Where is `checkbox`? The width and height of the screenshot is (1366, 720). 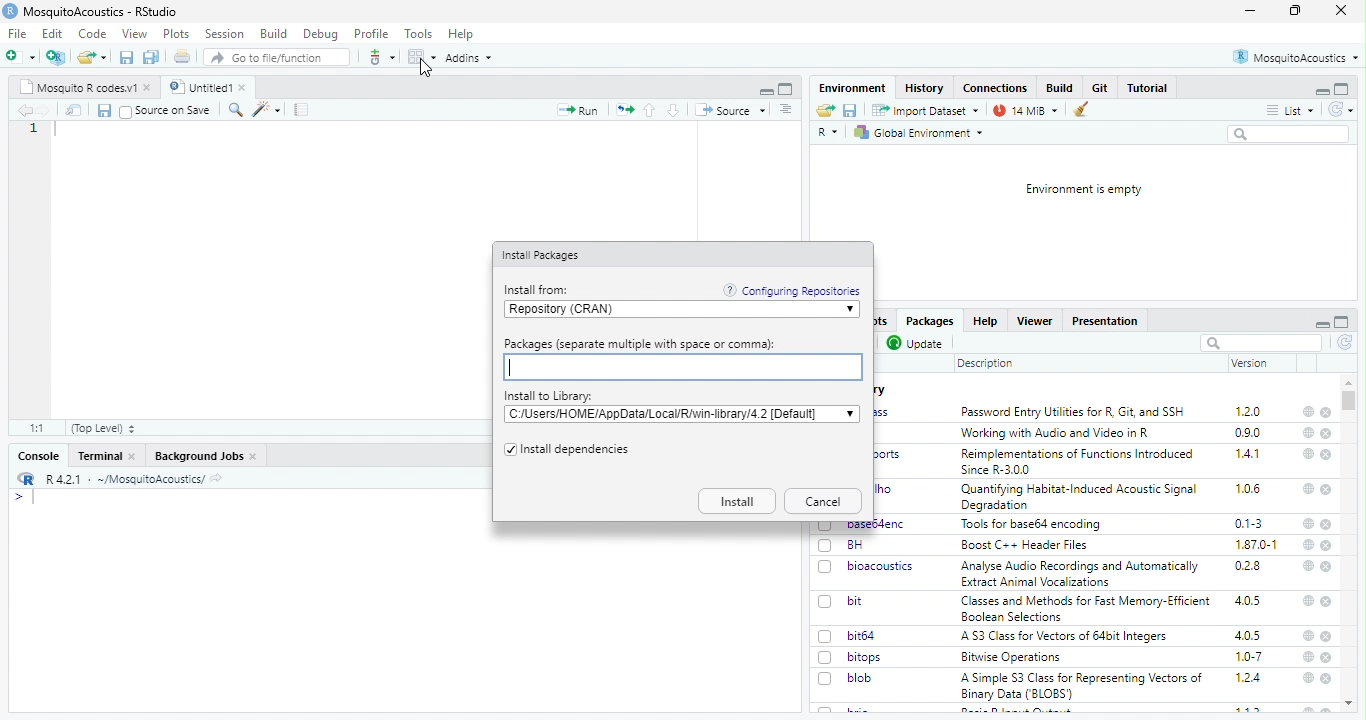 checkbox is located at coordinates (508, 451).